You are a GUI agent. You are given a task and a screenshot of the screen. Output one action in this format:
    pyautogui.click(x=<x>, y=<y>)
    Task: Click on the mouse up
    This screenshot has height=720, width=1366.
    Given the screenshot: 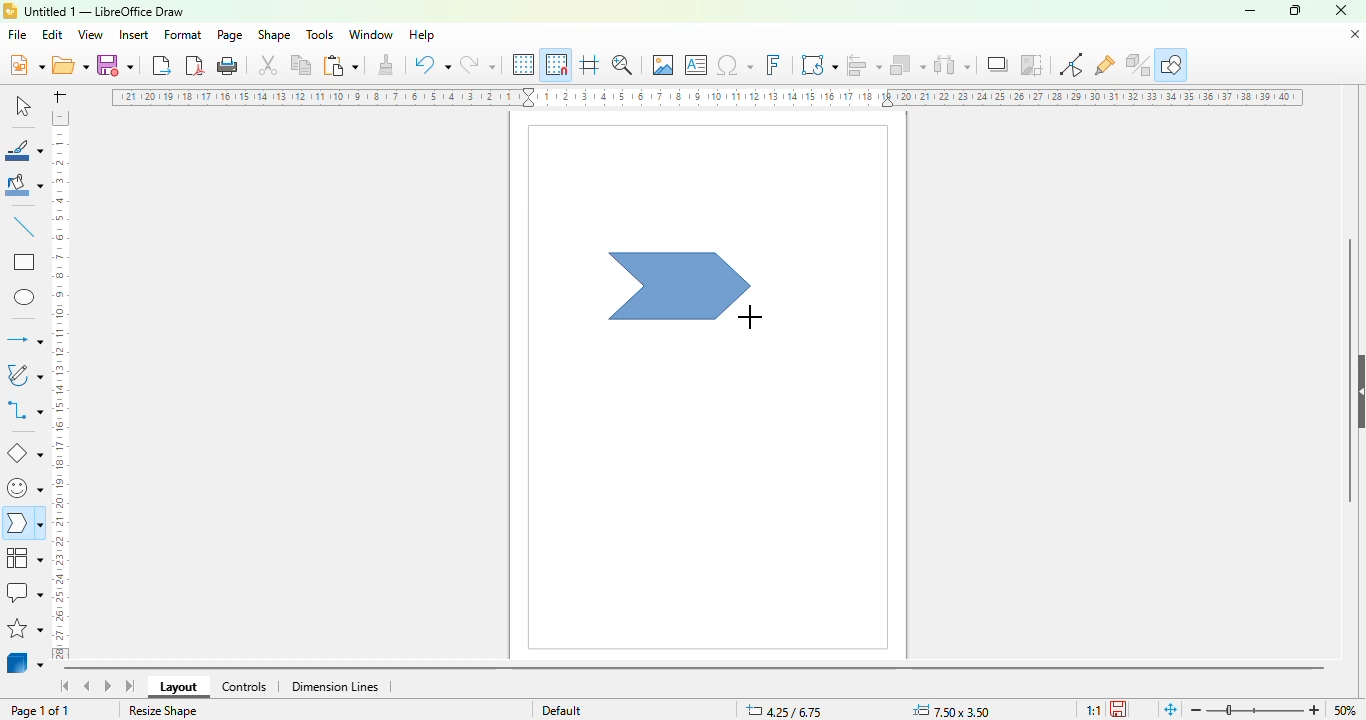 What is the action you would take?
    pyautogui.click(x=750, y=316)
    